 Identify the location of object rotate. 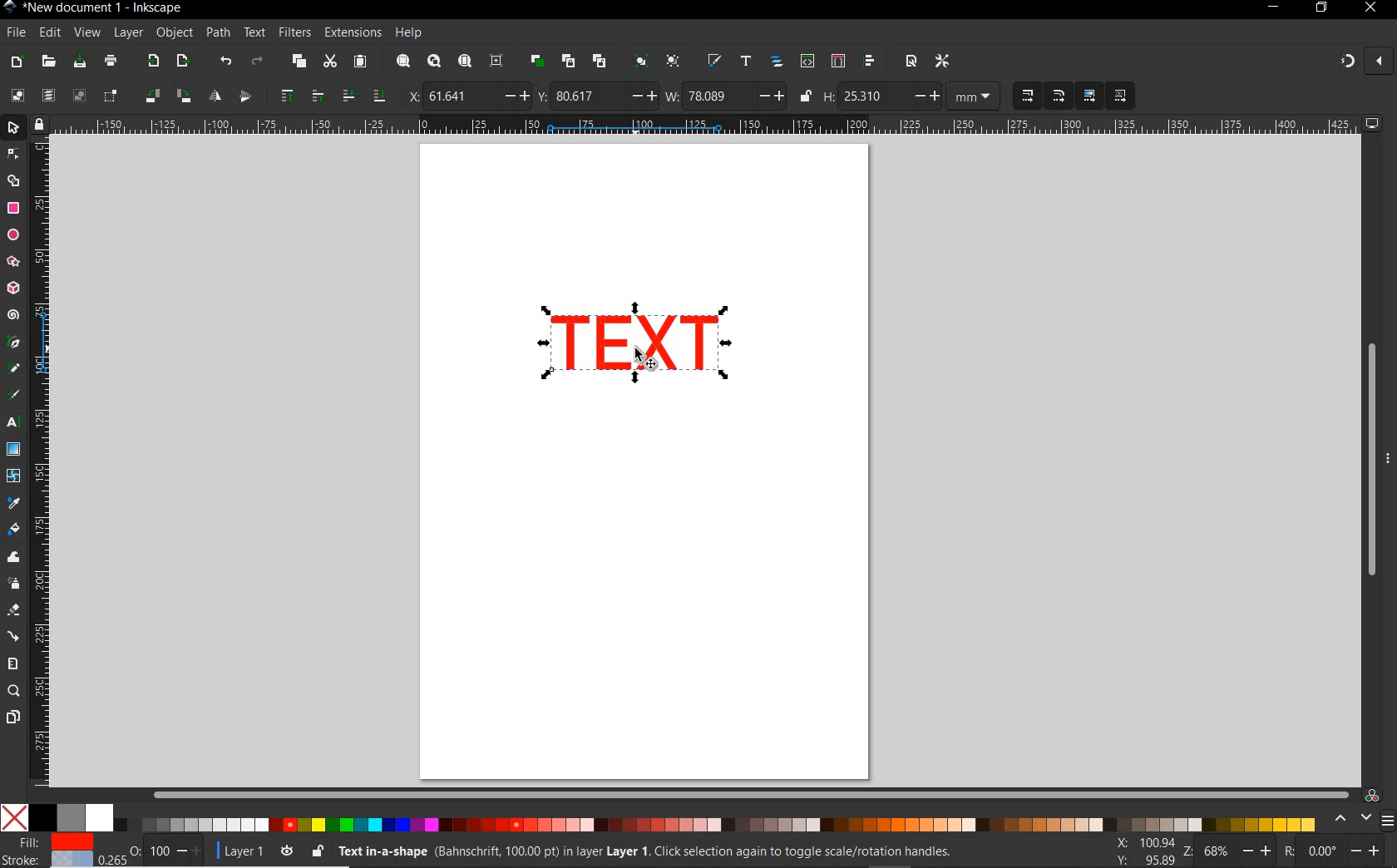
(166, 96).